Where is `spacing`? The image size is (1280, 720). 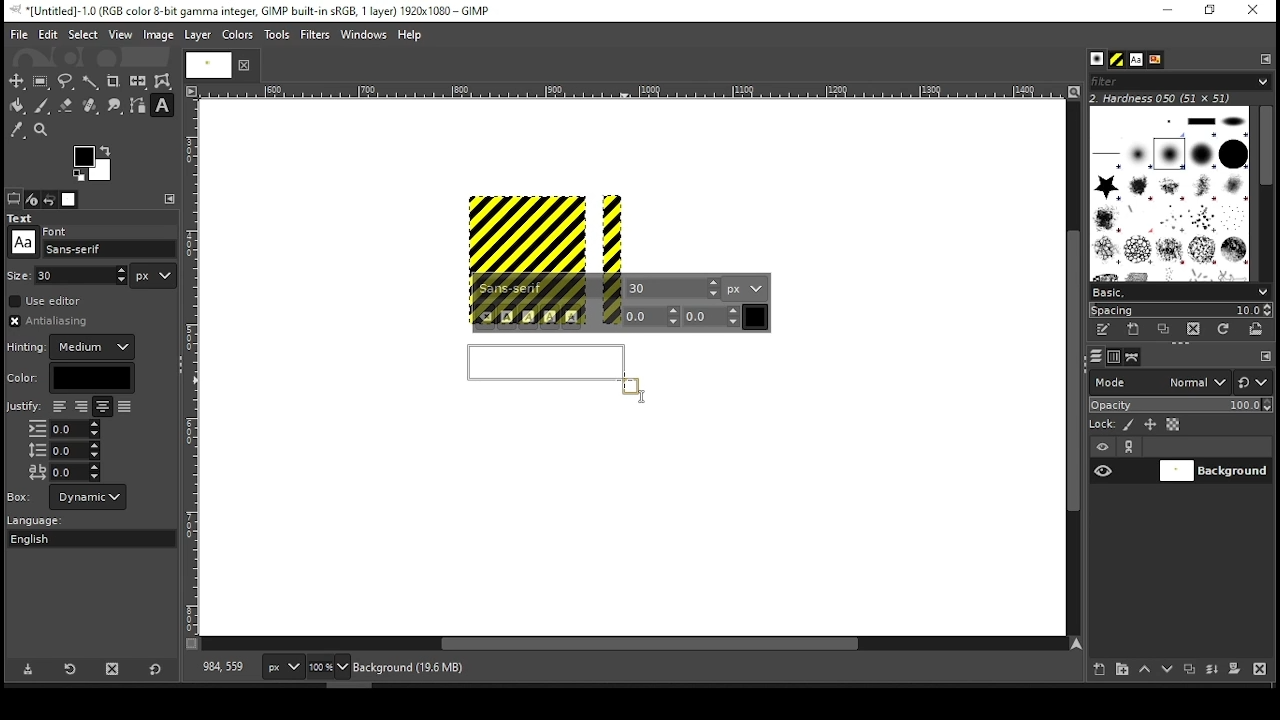 spacing is located at coordinates (1180, 310).